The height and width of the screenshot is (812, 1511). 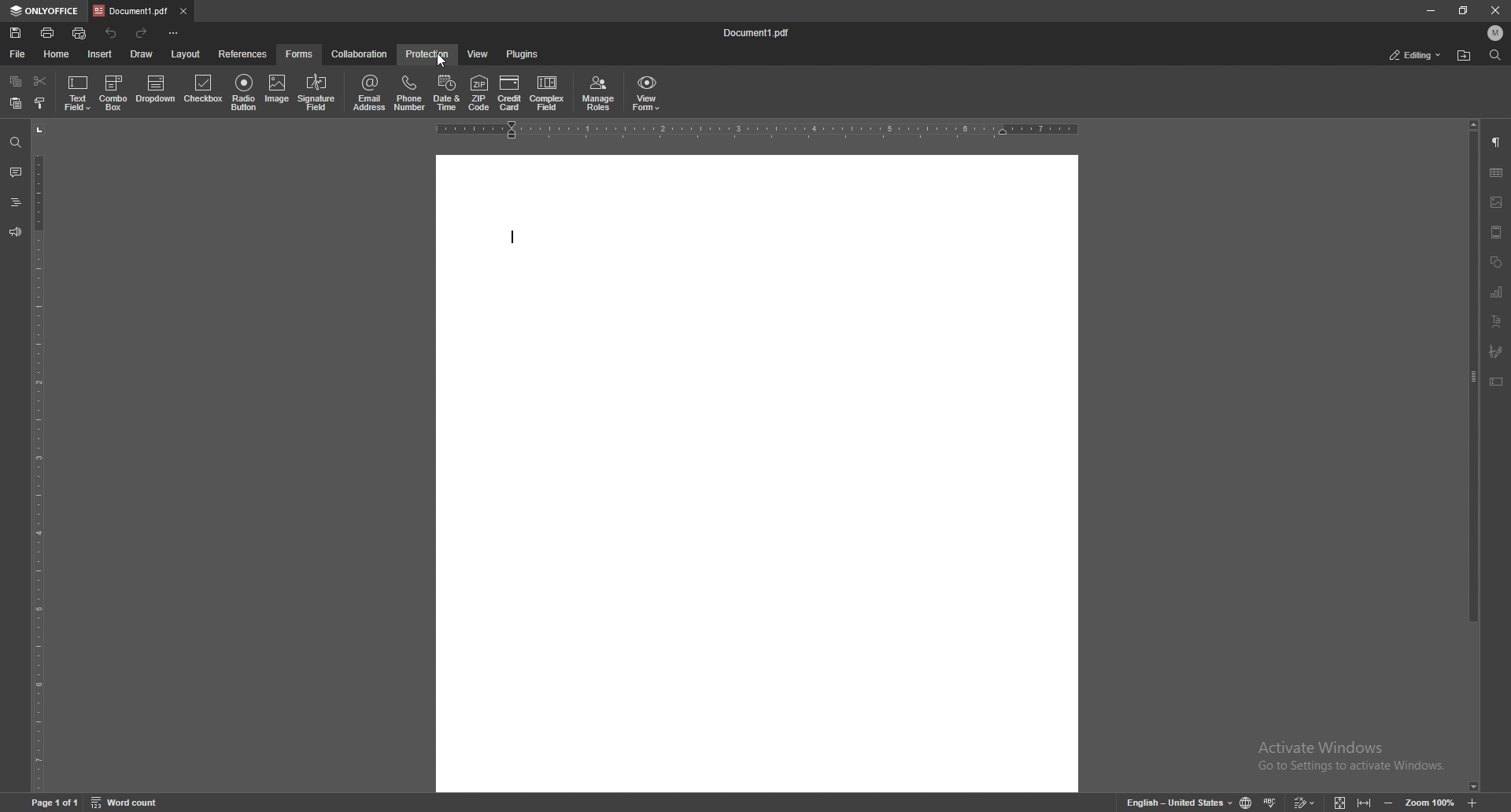 I want to click on spell check, so click(x=1272, y=802).